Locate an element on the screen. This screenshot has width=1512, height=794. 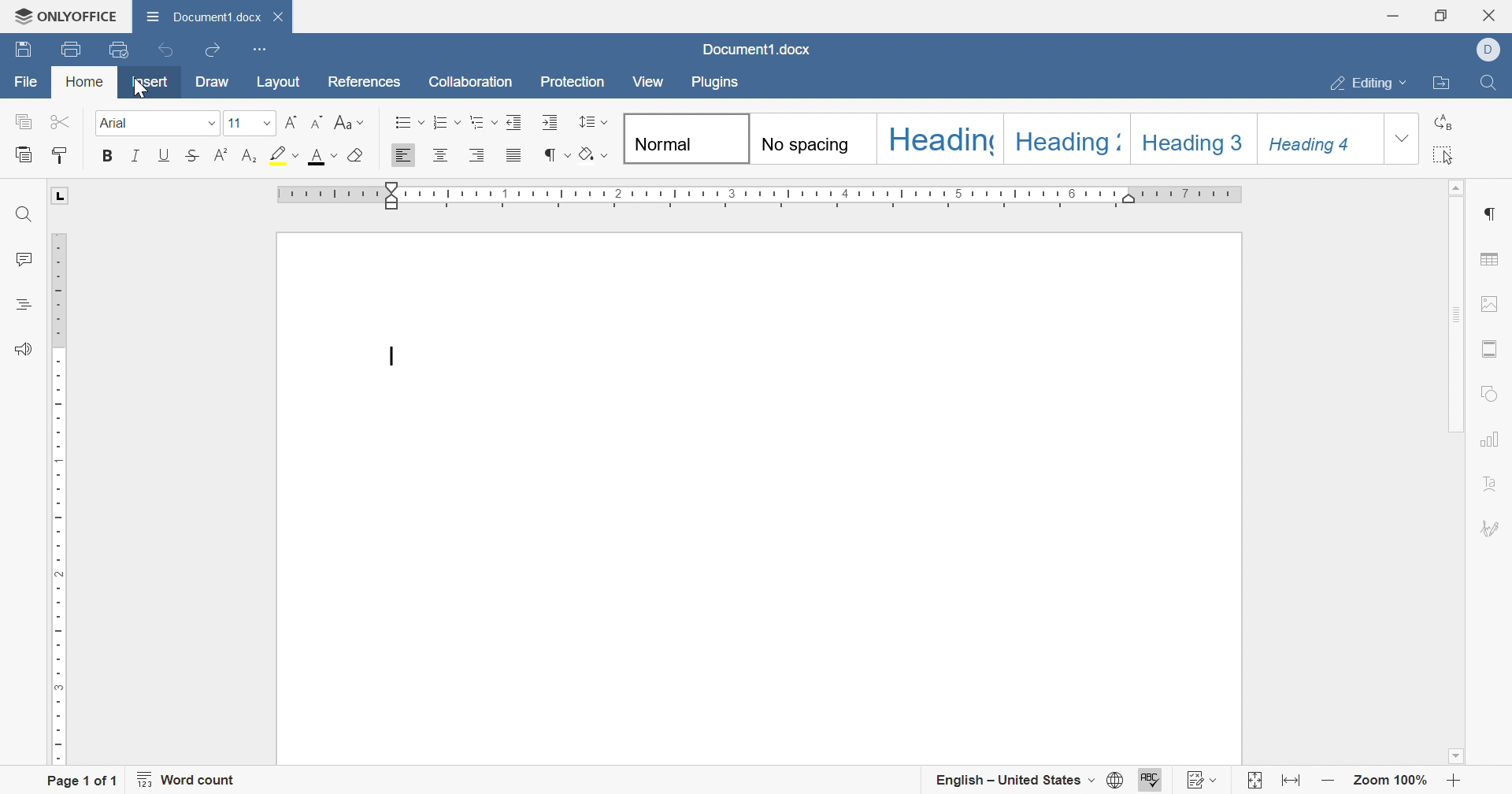
Drop Down is located at coordinates (206, 127).